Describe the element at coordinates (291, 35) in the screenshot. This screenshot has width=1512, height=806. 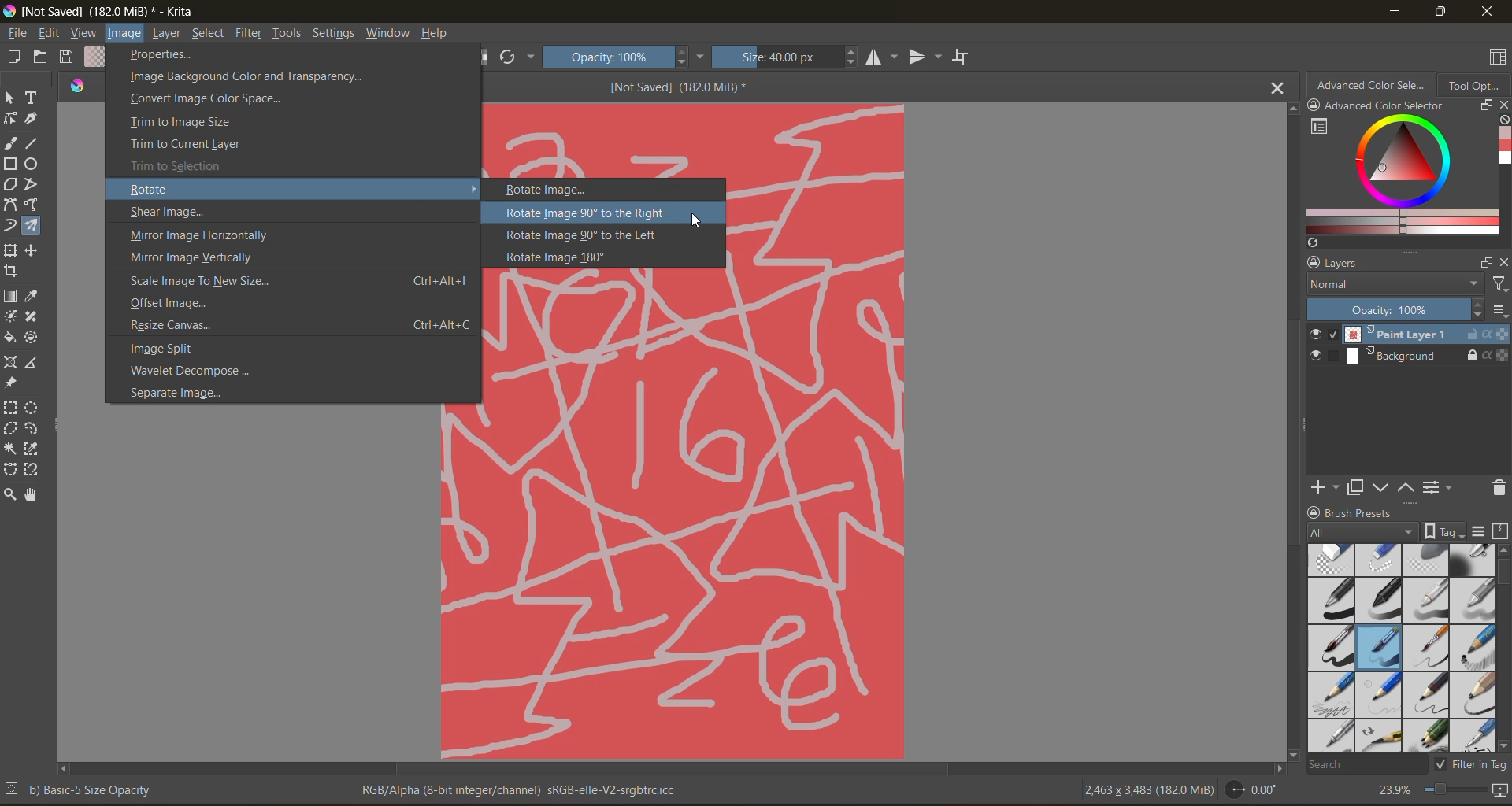
I see `tools` at that location.